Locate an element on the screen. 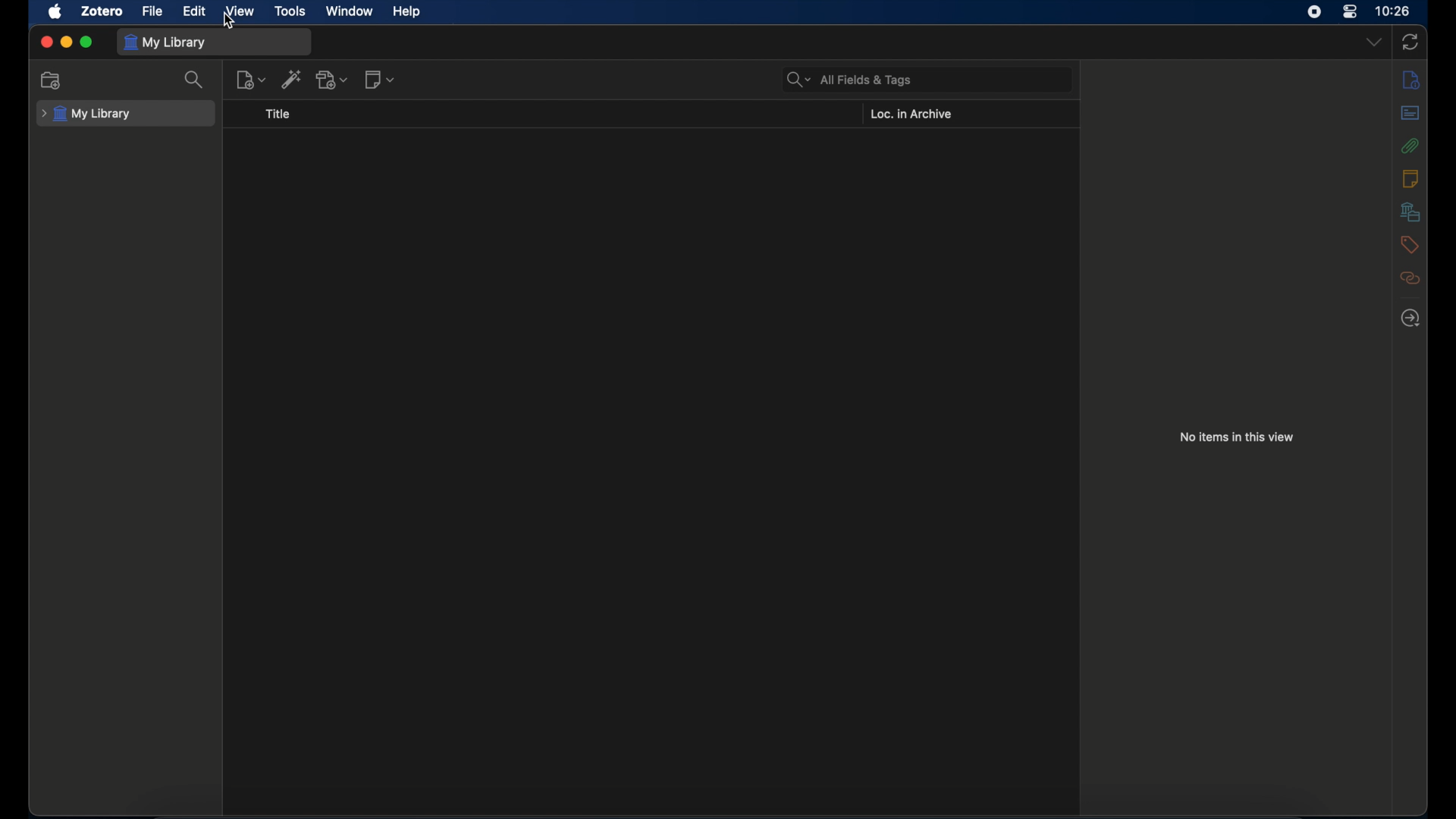 This screenshot has height=819, width=1456. related is located at coordinates (1411, 278).